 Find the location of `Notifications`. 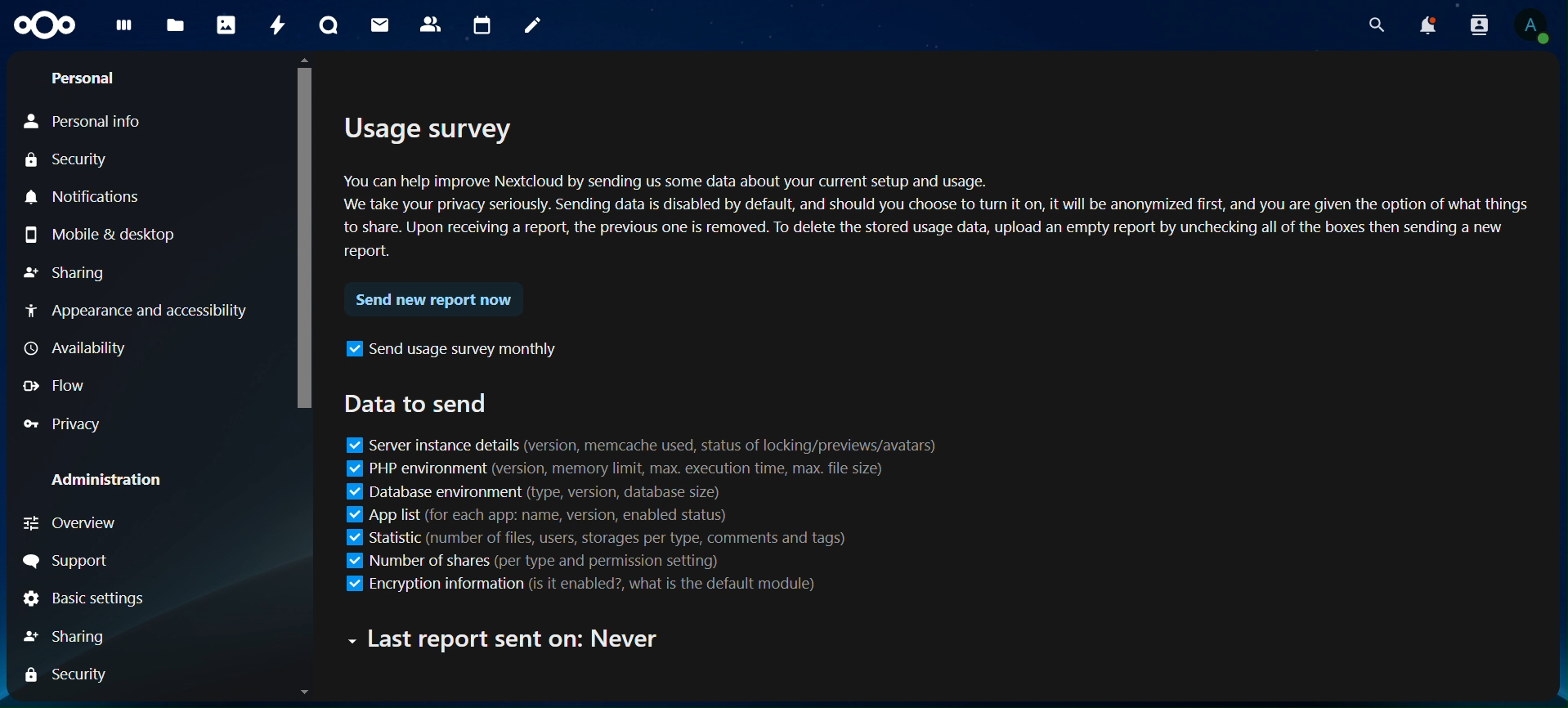

Notifications is located at coordinates (89, 198).